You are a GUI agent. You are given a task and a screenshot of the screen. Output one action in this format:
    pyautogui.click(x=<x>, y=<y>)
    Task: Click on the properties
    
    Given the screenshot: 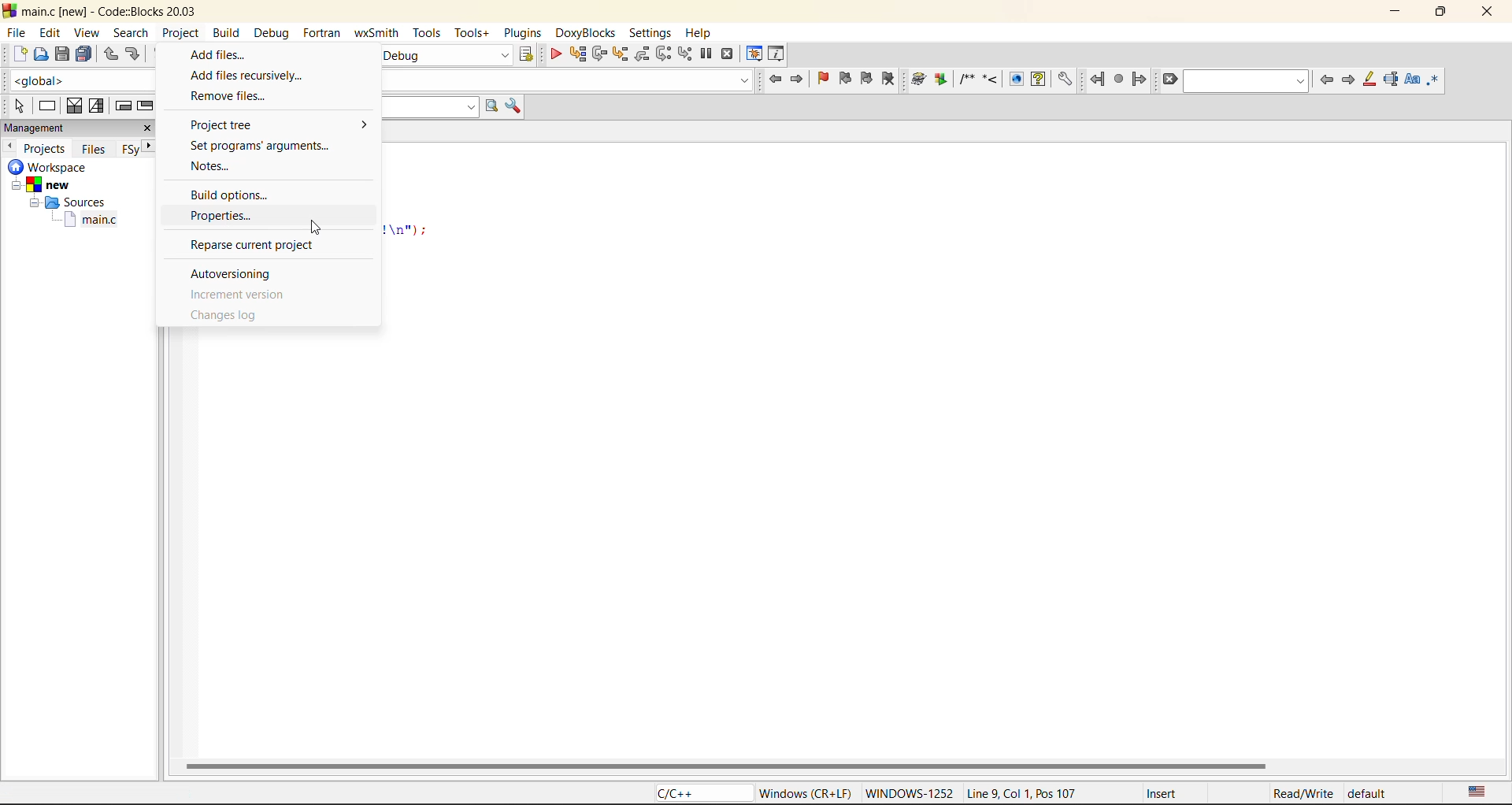 What is the action you would take?
    pyautogui.click(x=232, y=217)
    